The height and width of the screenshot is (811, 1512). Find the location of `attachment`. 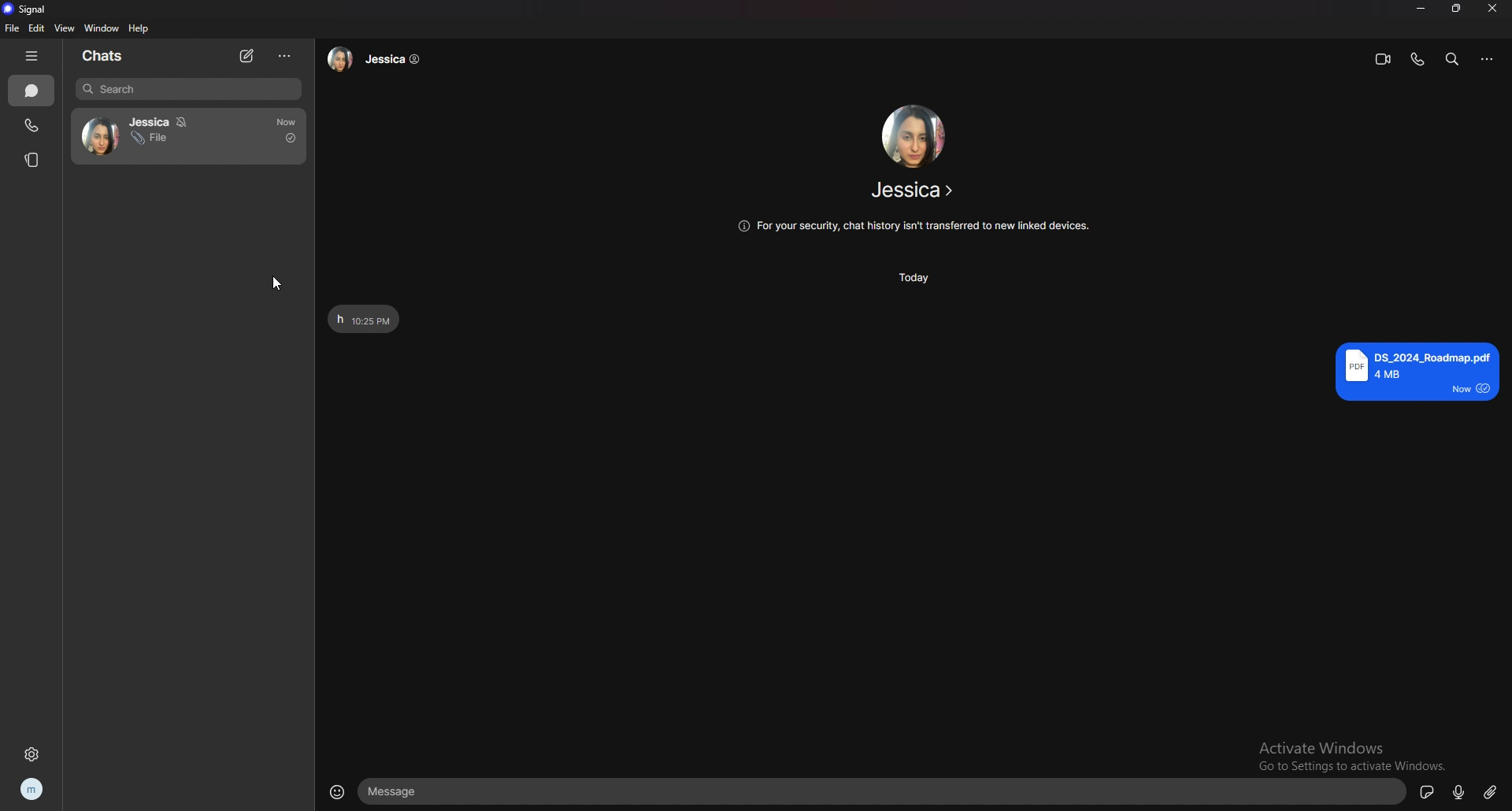

attachment is located at coordinates (1491, 791).